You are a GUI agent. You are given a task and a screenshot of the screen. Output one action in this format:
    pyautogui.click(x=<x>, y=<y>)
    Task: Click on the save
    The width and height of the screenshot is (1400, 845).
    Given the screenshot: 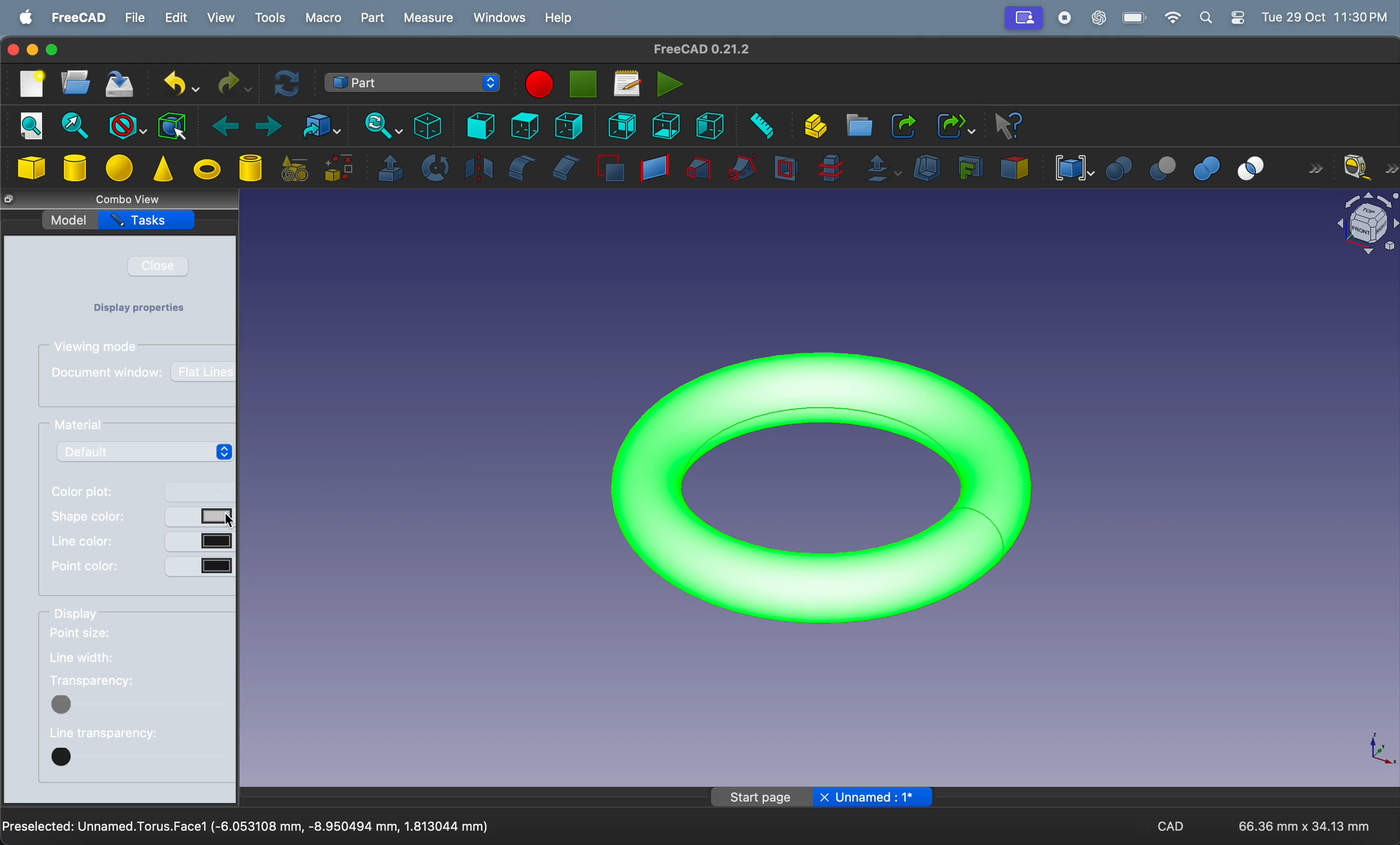 What is the action you would take?
    pyautogui.click(x=124, y=86)
    